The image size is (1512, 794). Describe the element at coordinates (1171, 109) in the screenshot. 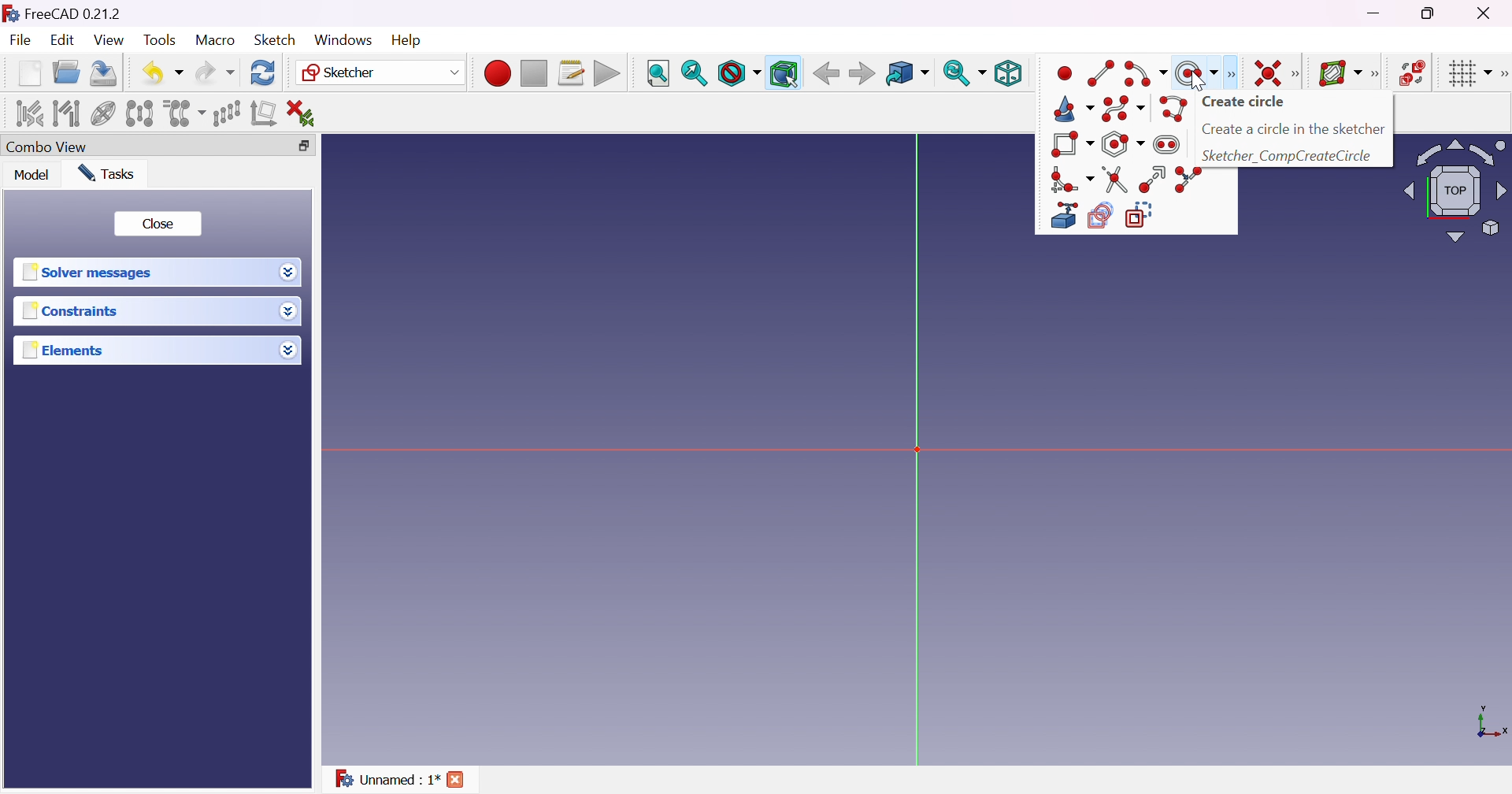

I see `Create polyline` at that location.